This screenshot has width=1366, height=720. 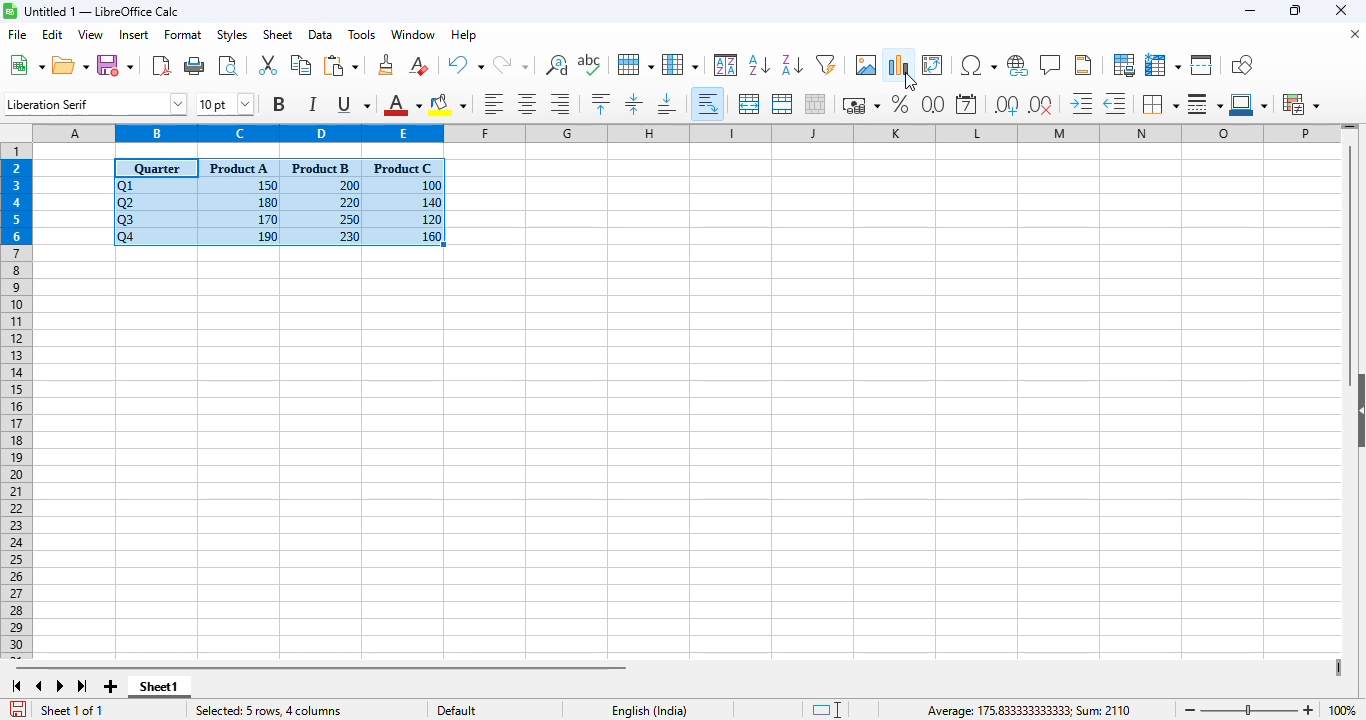 What do you see at coordinates (456, 710) in the screenshot?
I see `default` at bounding box center [456, 710].